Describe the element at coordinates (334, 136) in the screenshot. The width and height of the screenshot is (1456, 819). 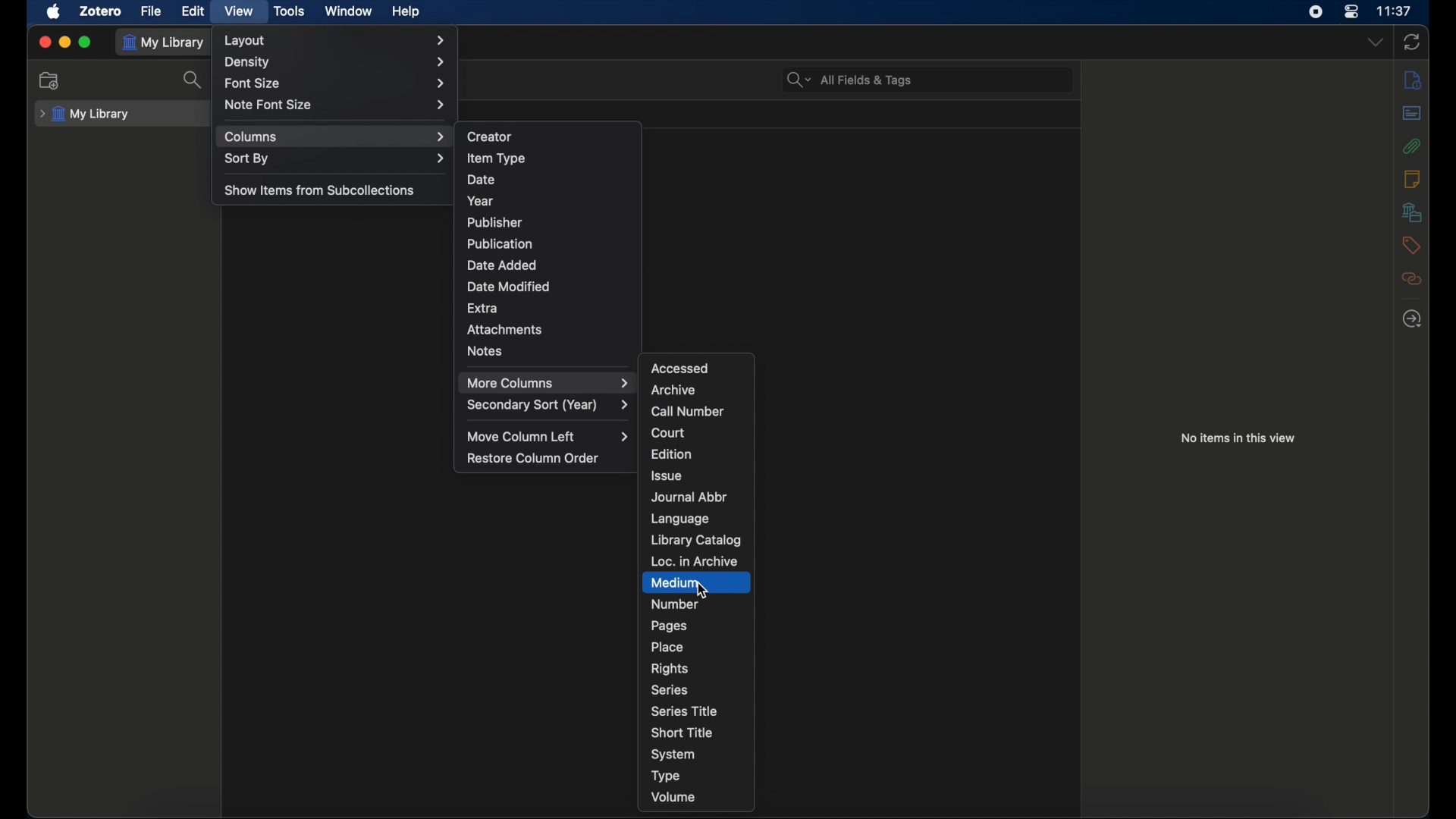
I see `columns` at that location.